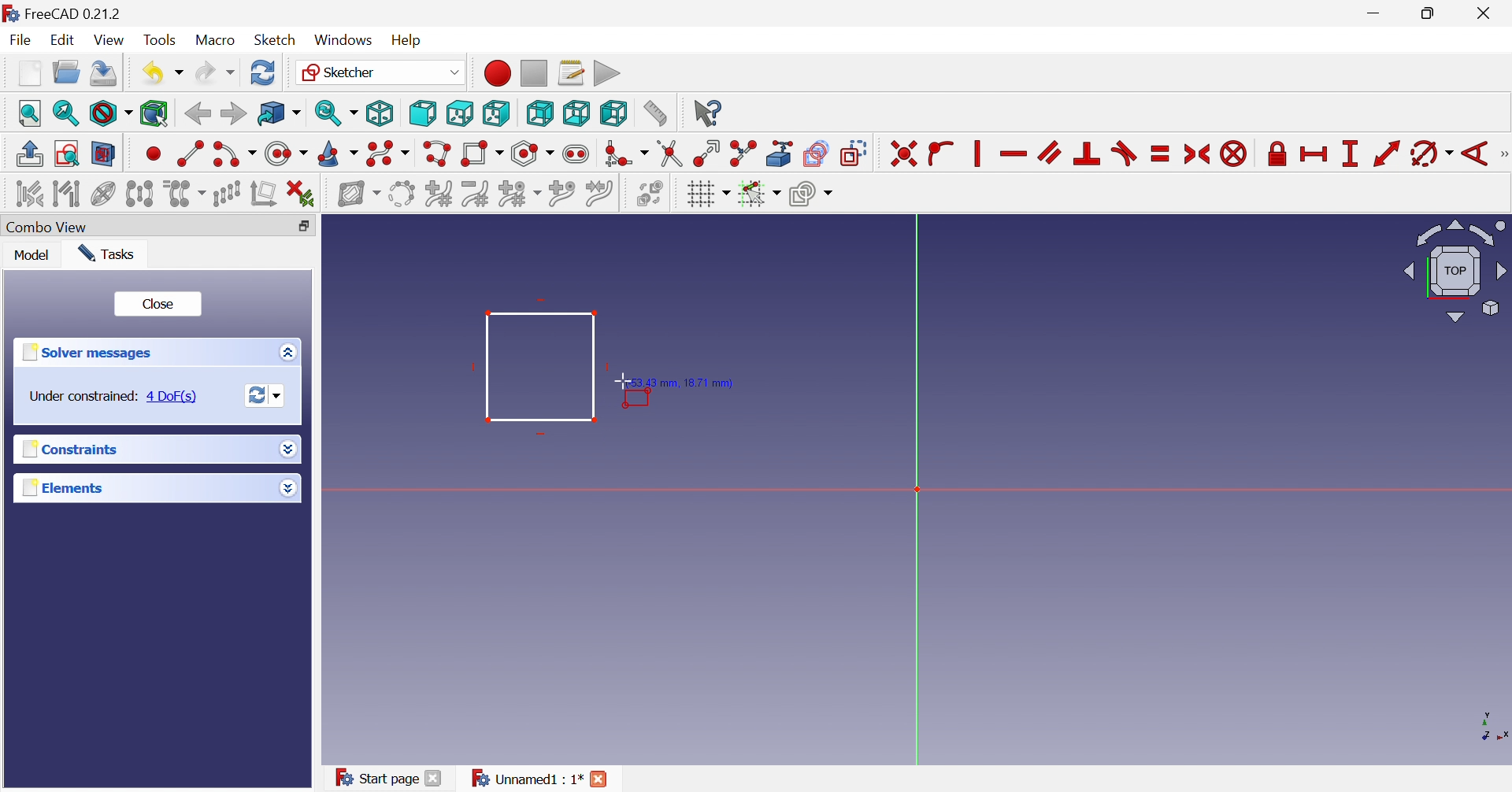 The height and width of the screenshot is (792, 1512). Describe the element at coordinates (10, 12) in the screenshot. I see `logo` at that location.